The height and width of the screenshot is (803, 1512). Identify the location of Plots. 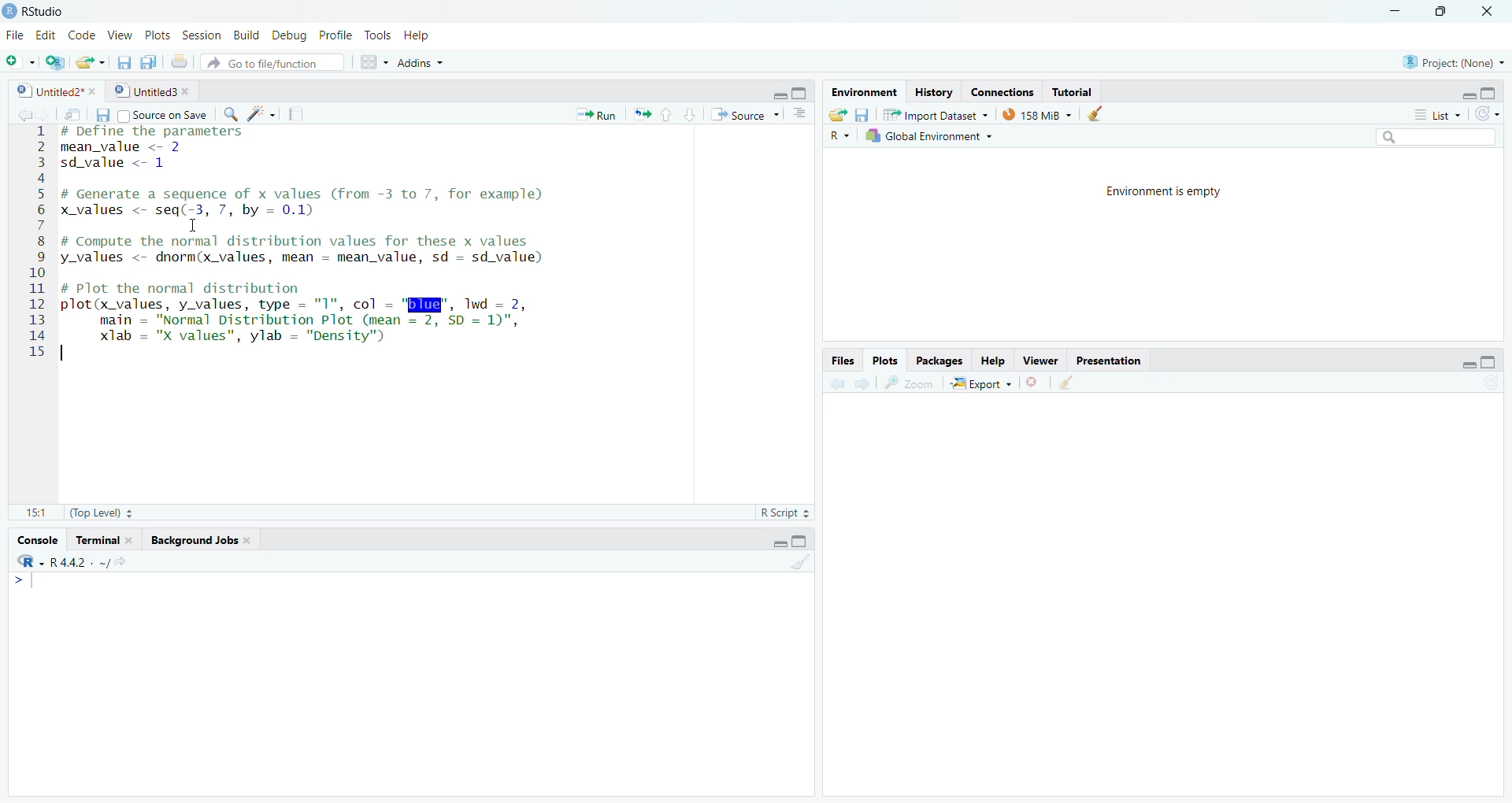
(888, 360).